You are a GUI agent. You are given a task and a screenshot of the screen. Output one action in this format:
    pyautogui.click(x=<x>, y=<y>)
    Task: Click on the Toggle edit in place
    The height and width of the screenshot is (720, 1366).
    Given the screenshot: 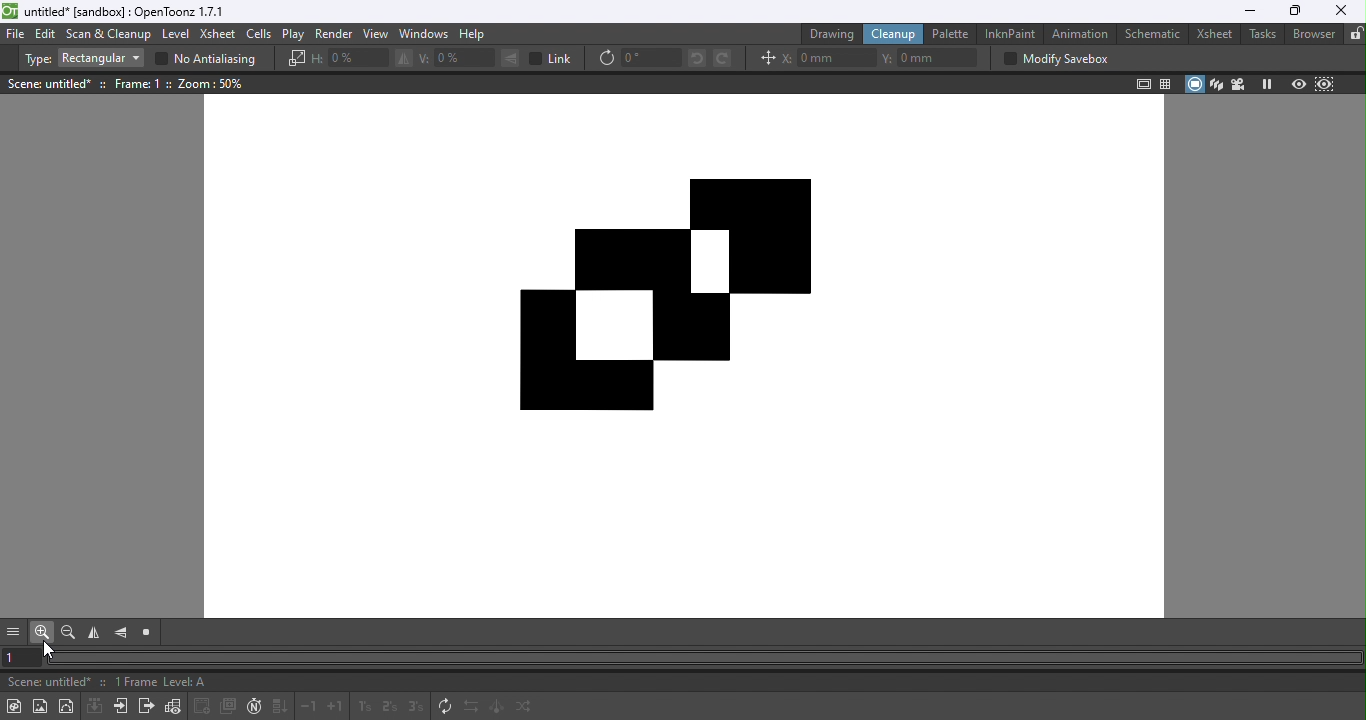 What is the action you would take?
    pyautogui.click(x=173, y=707)
    